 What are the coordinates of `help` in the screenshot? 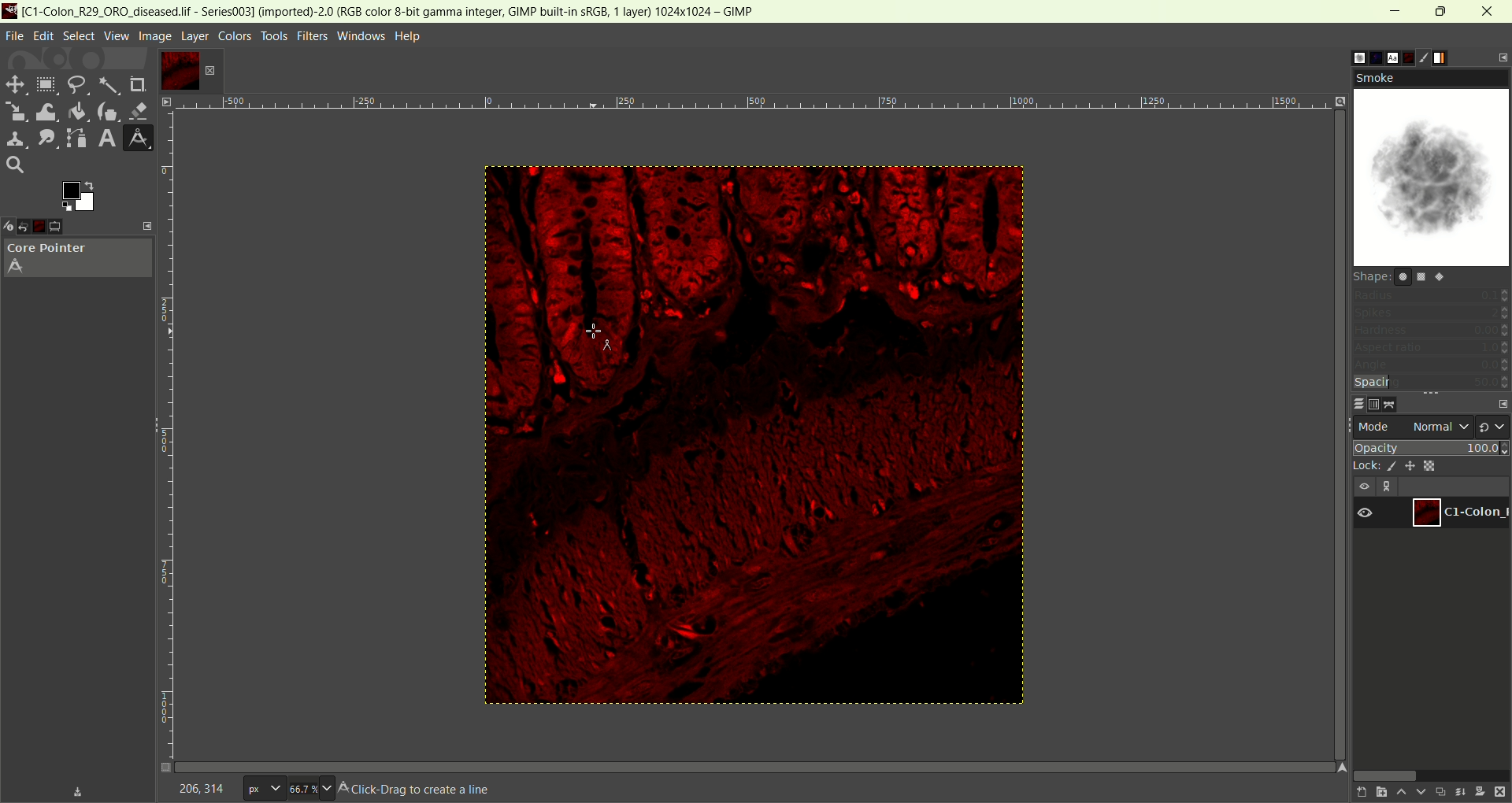 It's located at (409, 37).